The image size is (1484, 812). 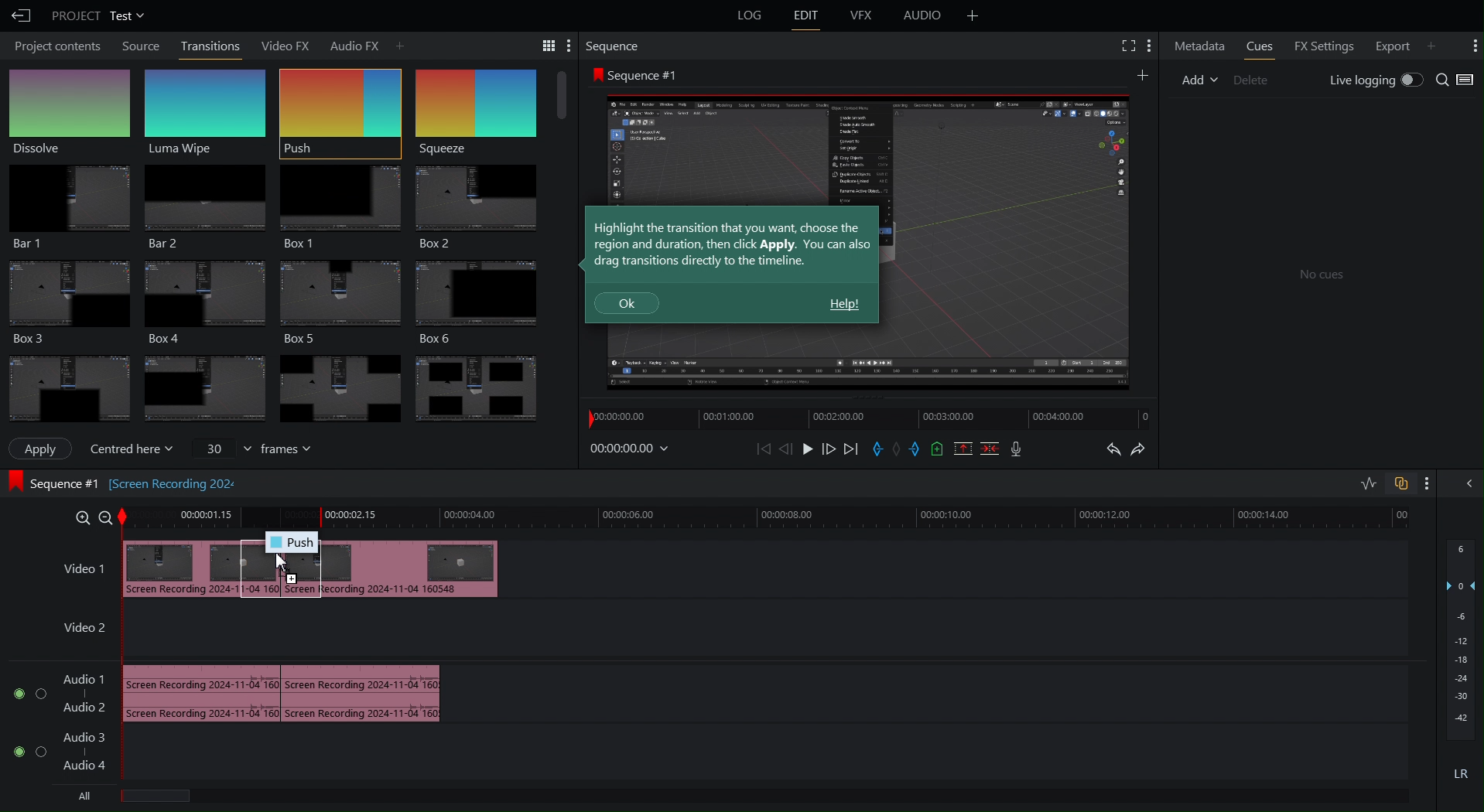 What do you see at coordinates (1259, 45) in the screenshot?
I see `Cues` at bounding box center [1259, 45].